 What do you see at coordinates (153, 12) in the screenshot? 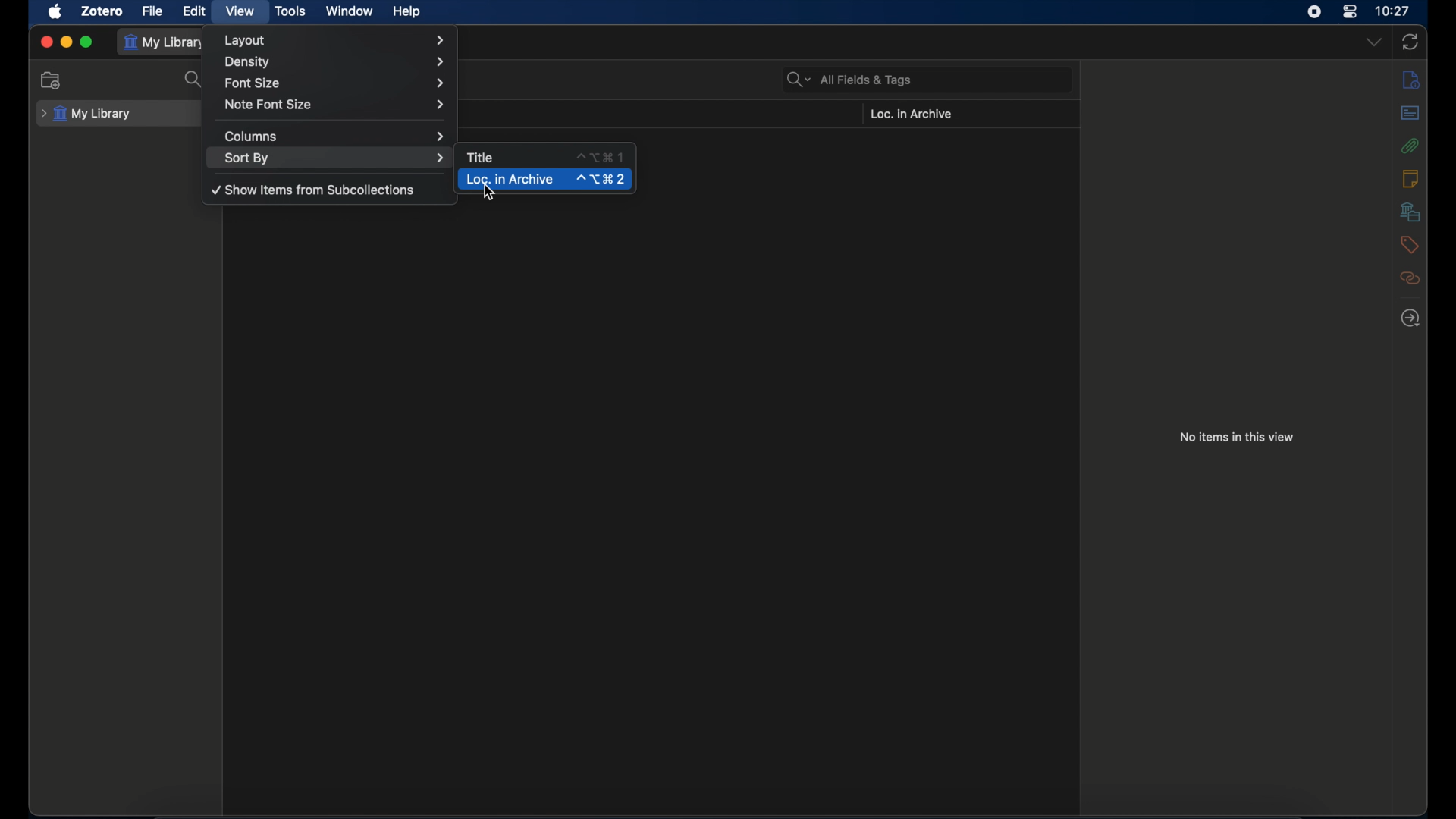
I see `file` at bounding box center [153, 12].